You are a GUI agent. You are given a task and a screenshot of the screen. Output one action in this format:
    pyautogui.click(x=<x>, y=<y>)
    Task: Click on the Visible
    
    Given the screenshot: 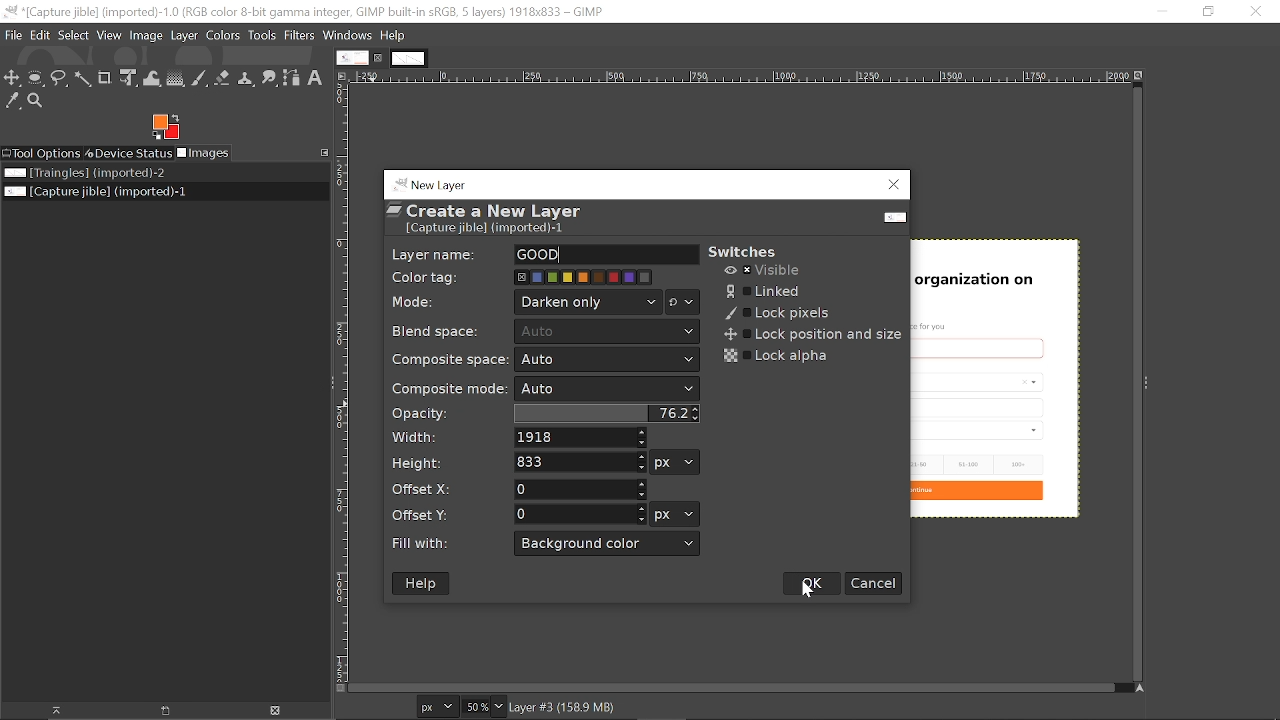 What is the action you would take?
    pyautogui.click(x=764, y=271)
    